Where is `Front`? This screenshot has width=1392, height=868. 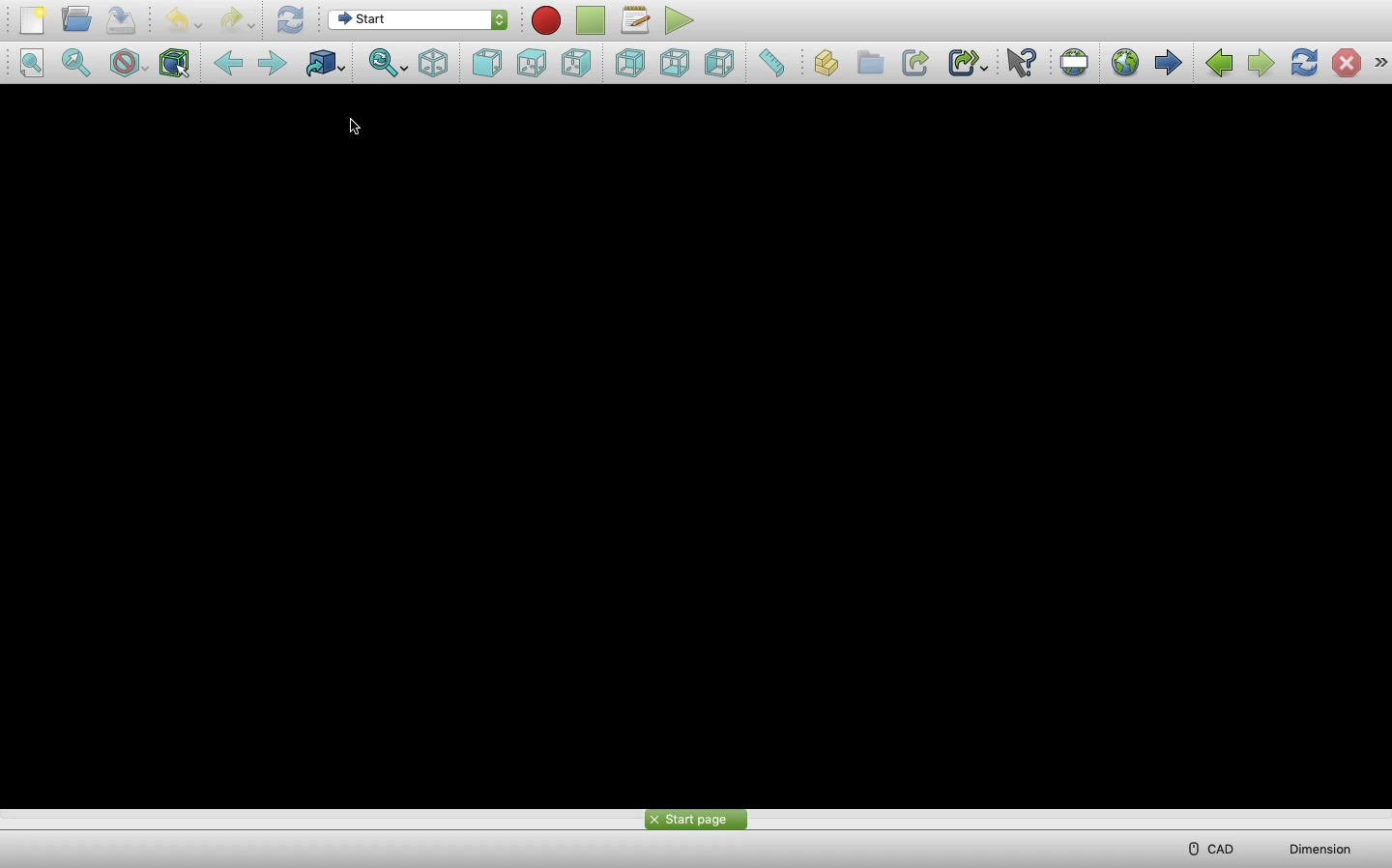
Front is located at coordinates (486, 64).